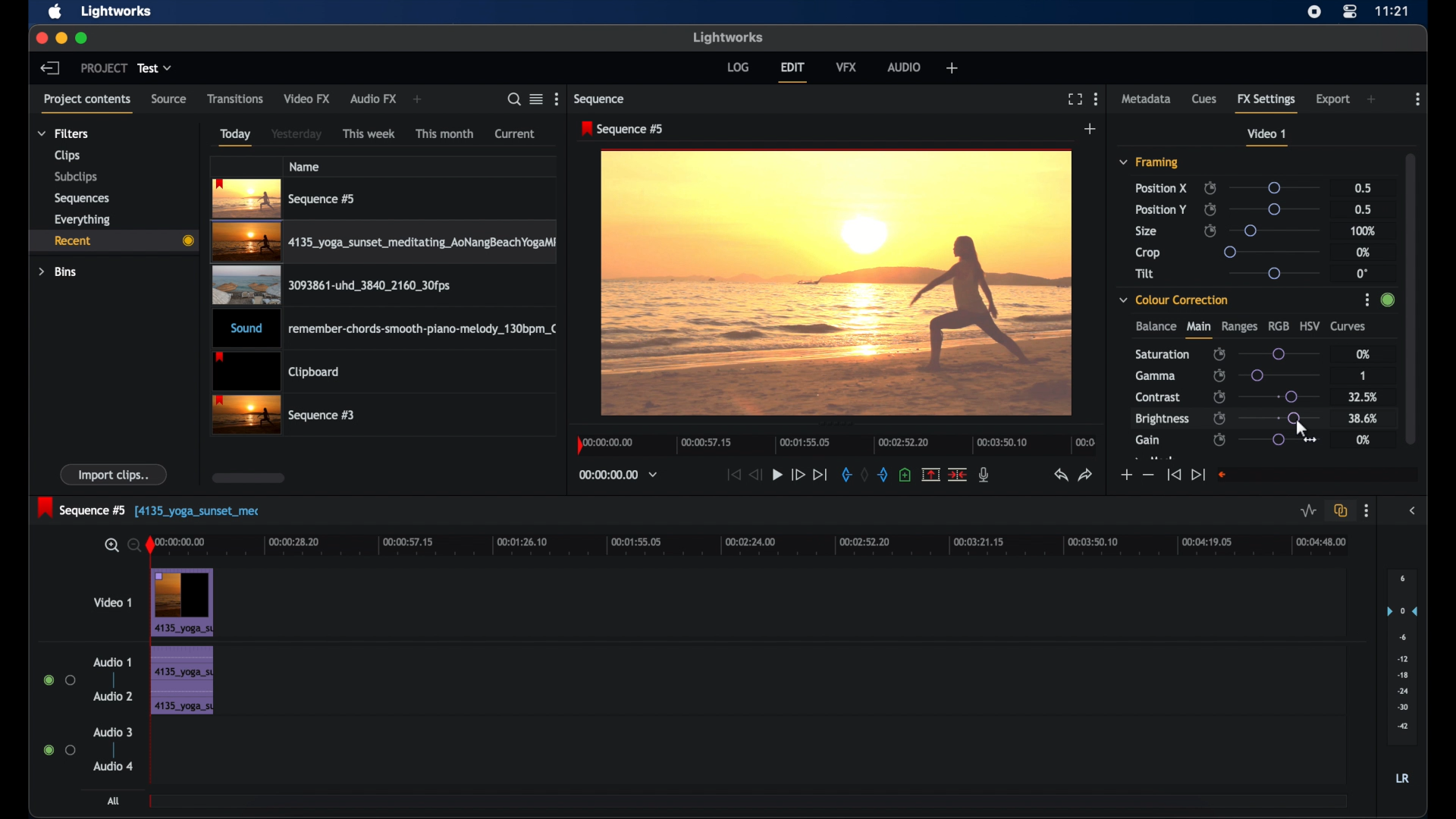 This screenshot has width=1456, height=819. I want to click on audio clip, so click(387, 330).